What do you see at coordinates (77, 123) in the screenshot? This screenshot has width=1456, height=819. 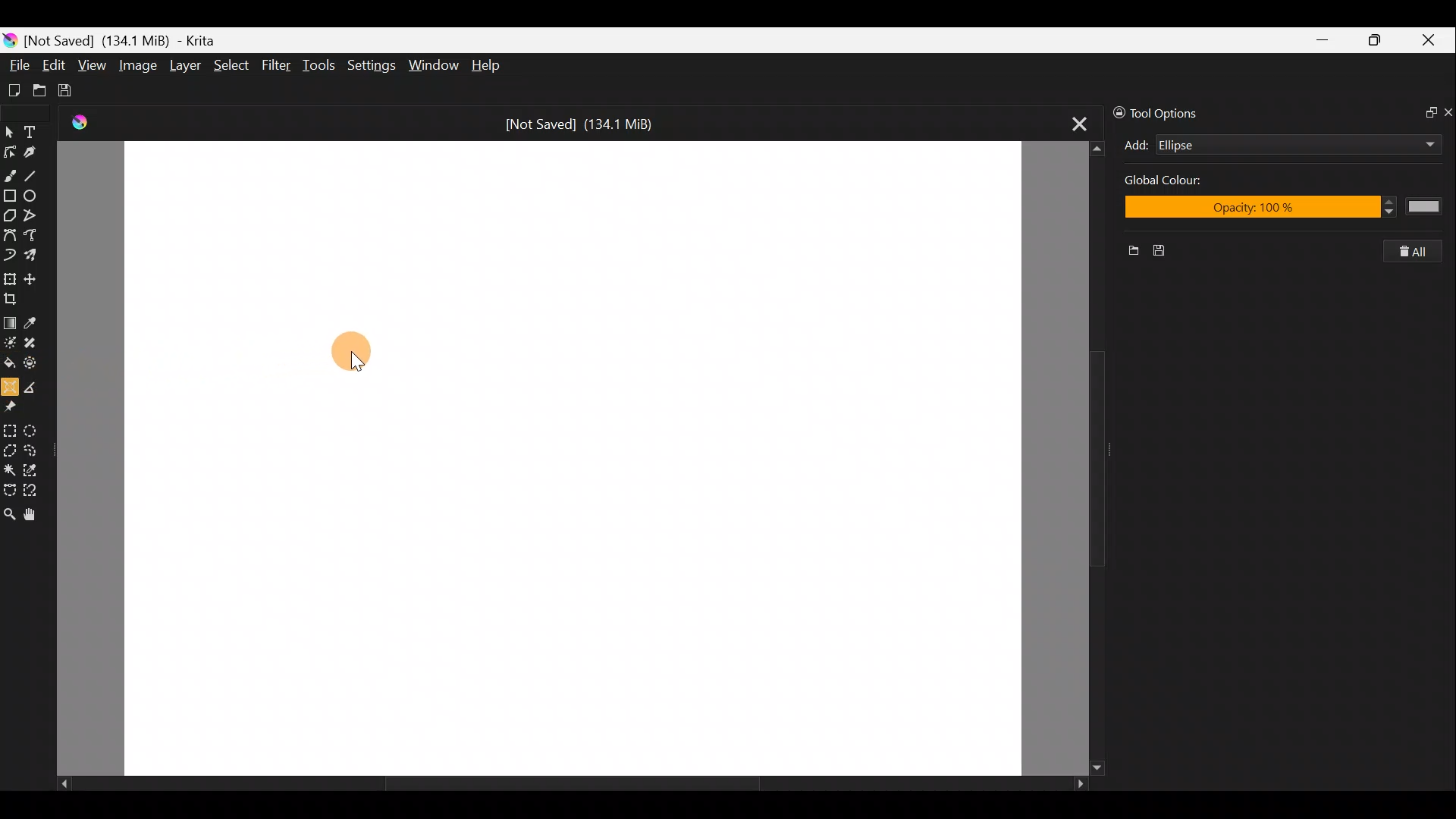 I see `Krita Logo` at bounding box center [77, 123].